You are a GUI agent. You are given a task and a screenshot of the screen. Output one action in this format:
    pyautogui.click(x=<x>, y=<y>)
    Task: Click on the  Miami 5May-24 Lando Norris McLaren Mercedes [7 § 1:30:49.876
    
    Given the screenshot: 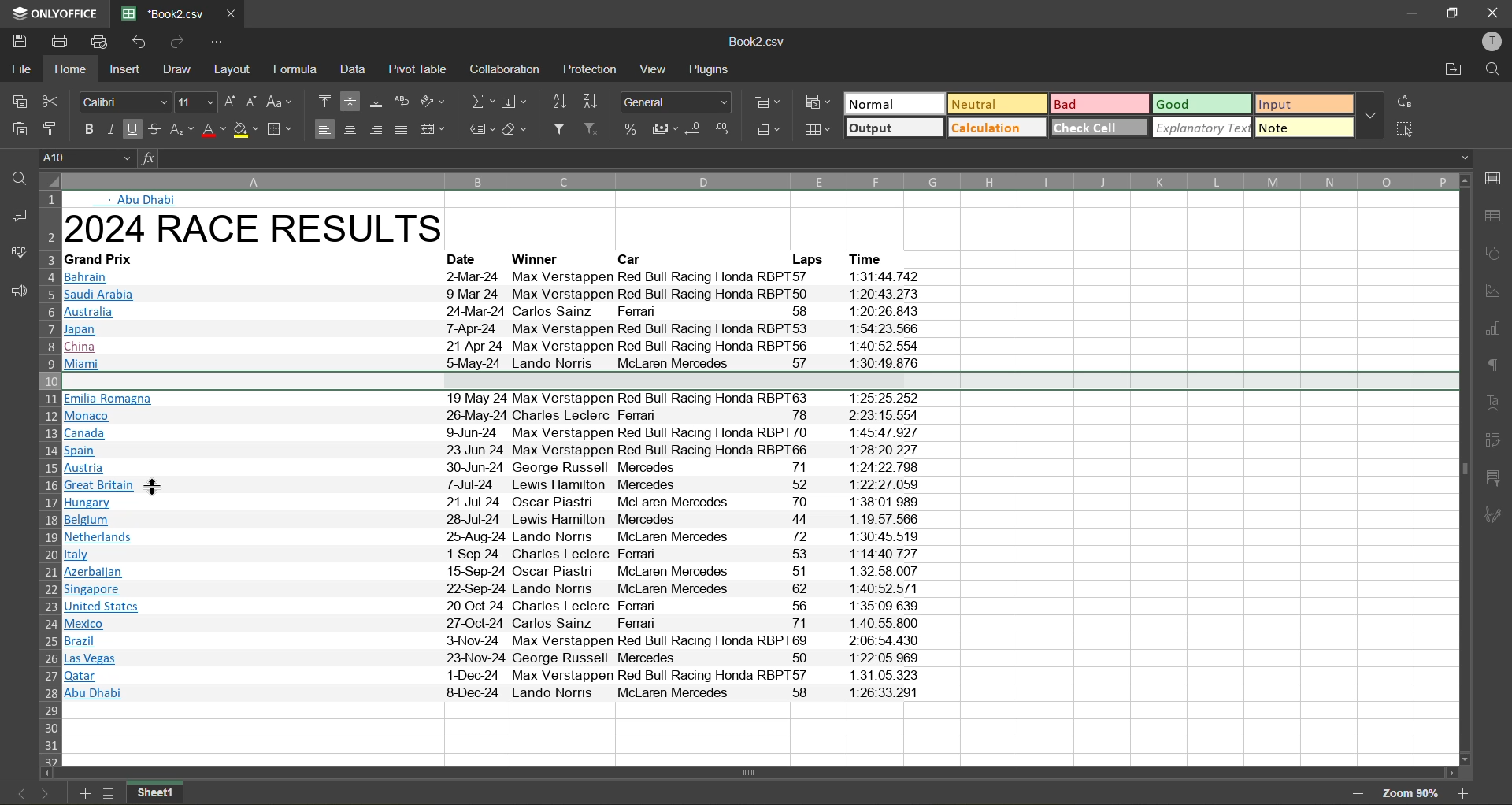 What is the action you would take?
    pyautogui.click(x=497, y=362)
    